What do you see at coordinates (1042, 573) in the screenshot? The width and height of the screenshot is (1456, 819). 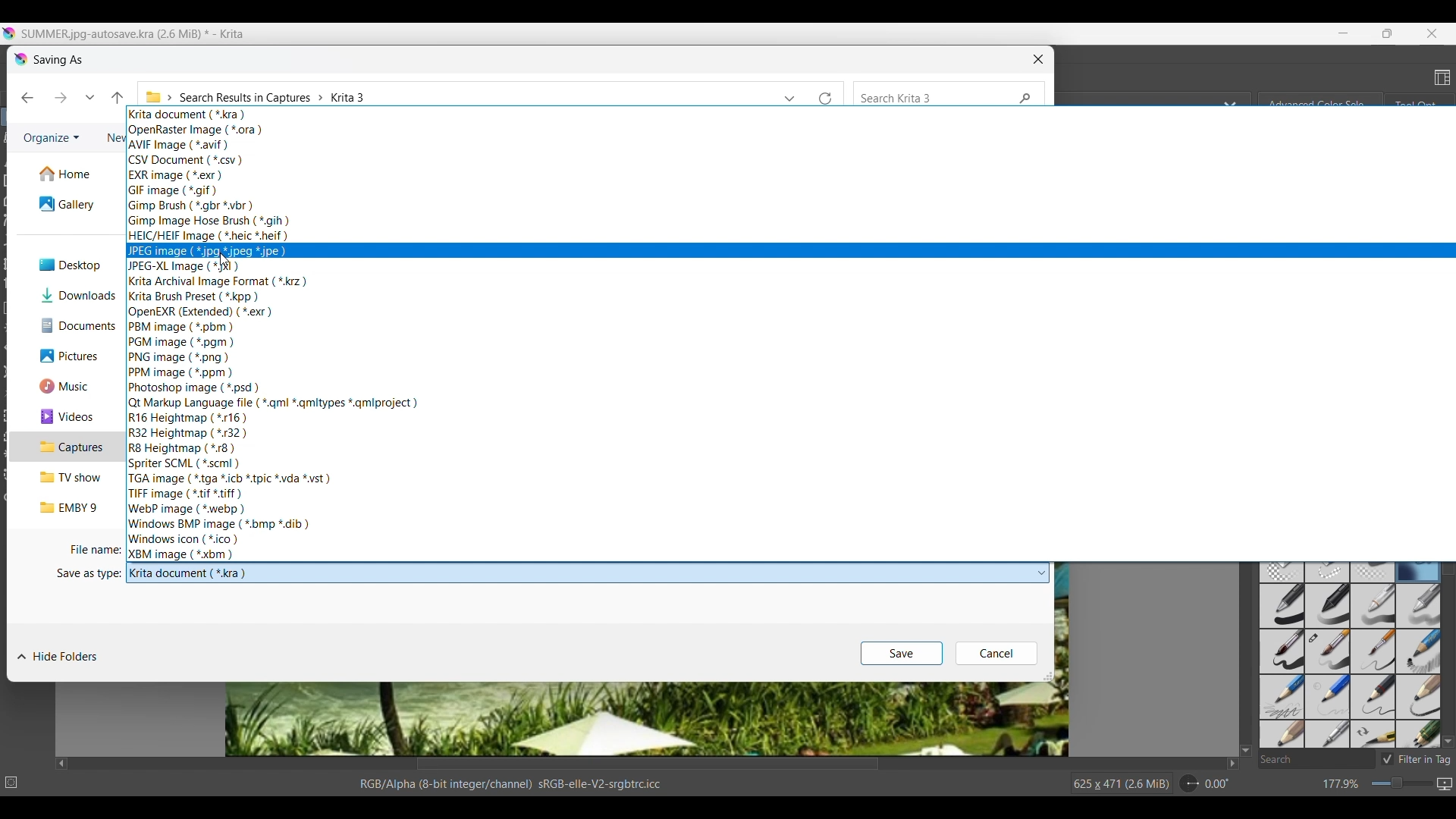 I see `List file format options` at bounding box center [1042, 573].